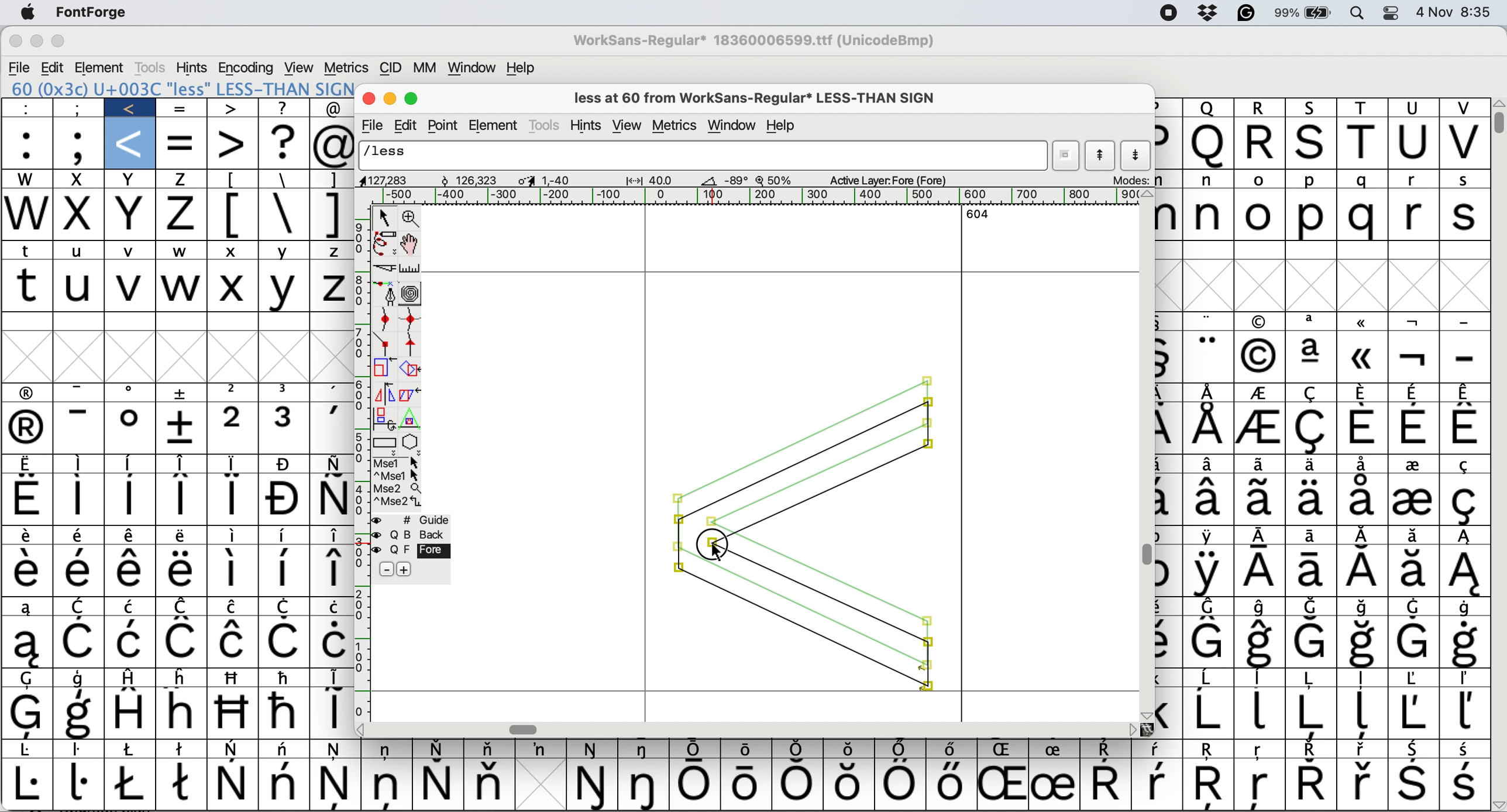 The height and width of the screenshot is (812, 1507). Describe the element at coordinates (1261, 500) in the screenshot. I see `Symbol` at that location.